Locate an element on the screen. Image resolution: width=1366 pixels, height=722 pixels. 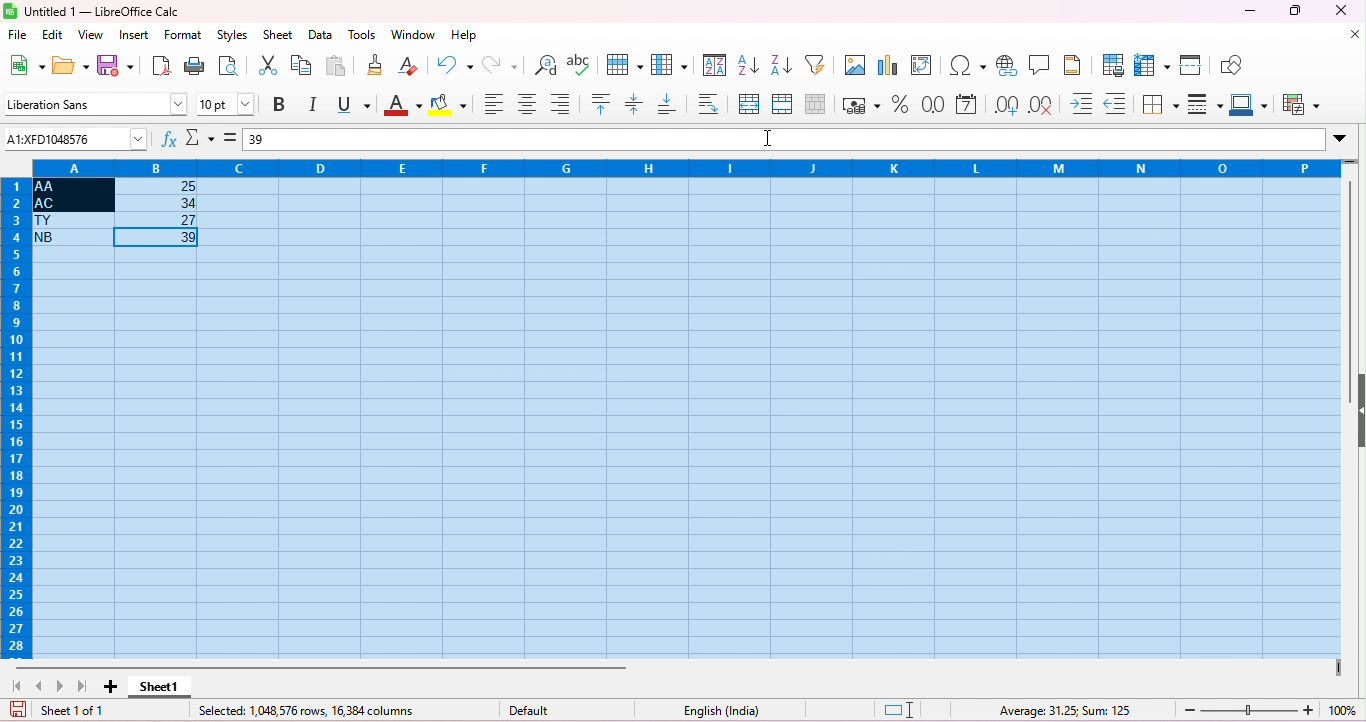
window is located at coordinates (414, 35).